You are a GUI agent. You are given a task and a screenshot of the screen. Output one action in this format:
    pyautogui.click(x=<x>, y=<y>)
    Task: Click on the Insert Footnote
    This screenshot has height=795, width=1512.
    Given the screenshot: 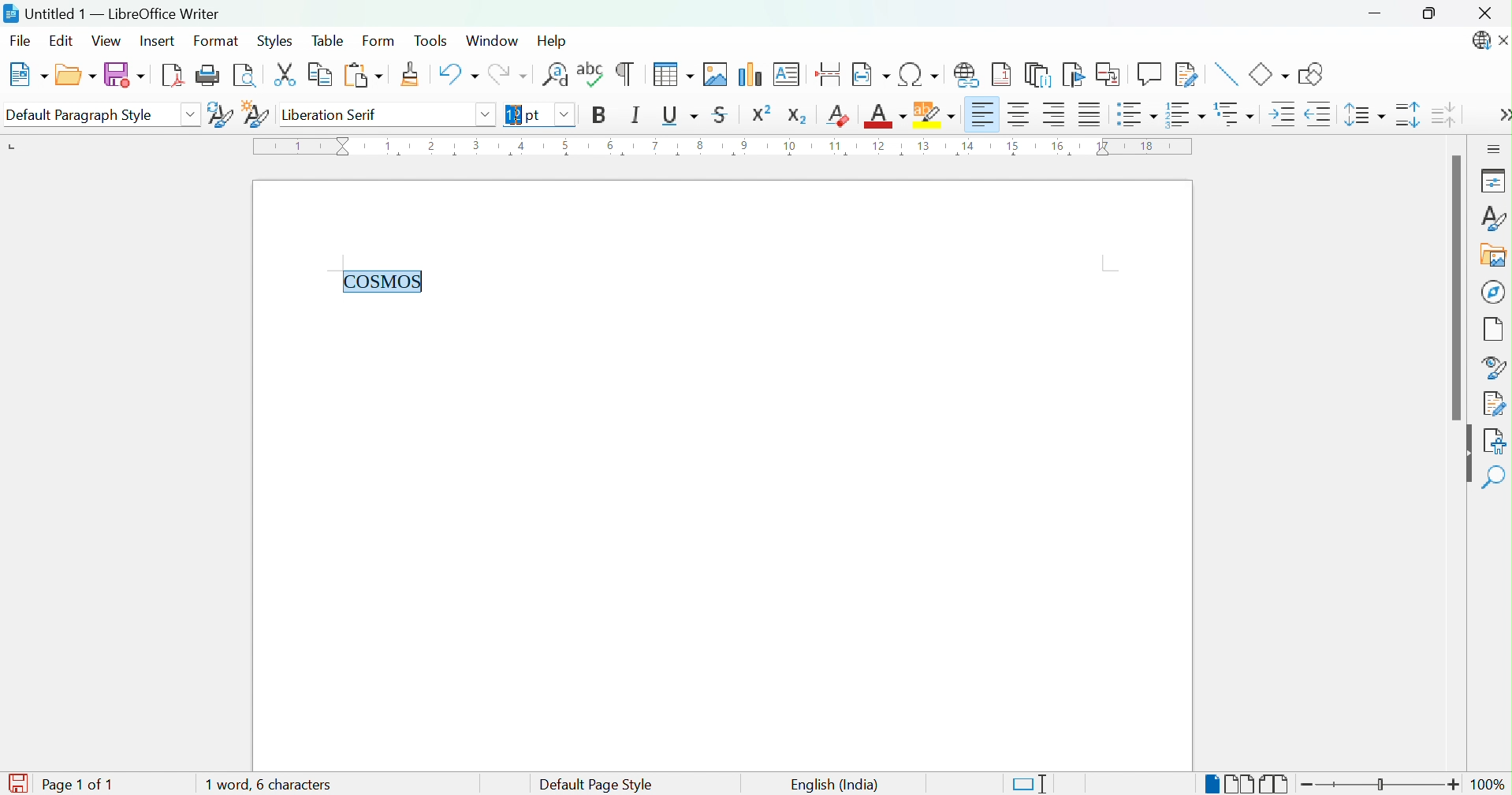 What is the action you would take?
    pyautogui.click(x=1002, y=75)
    